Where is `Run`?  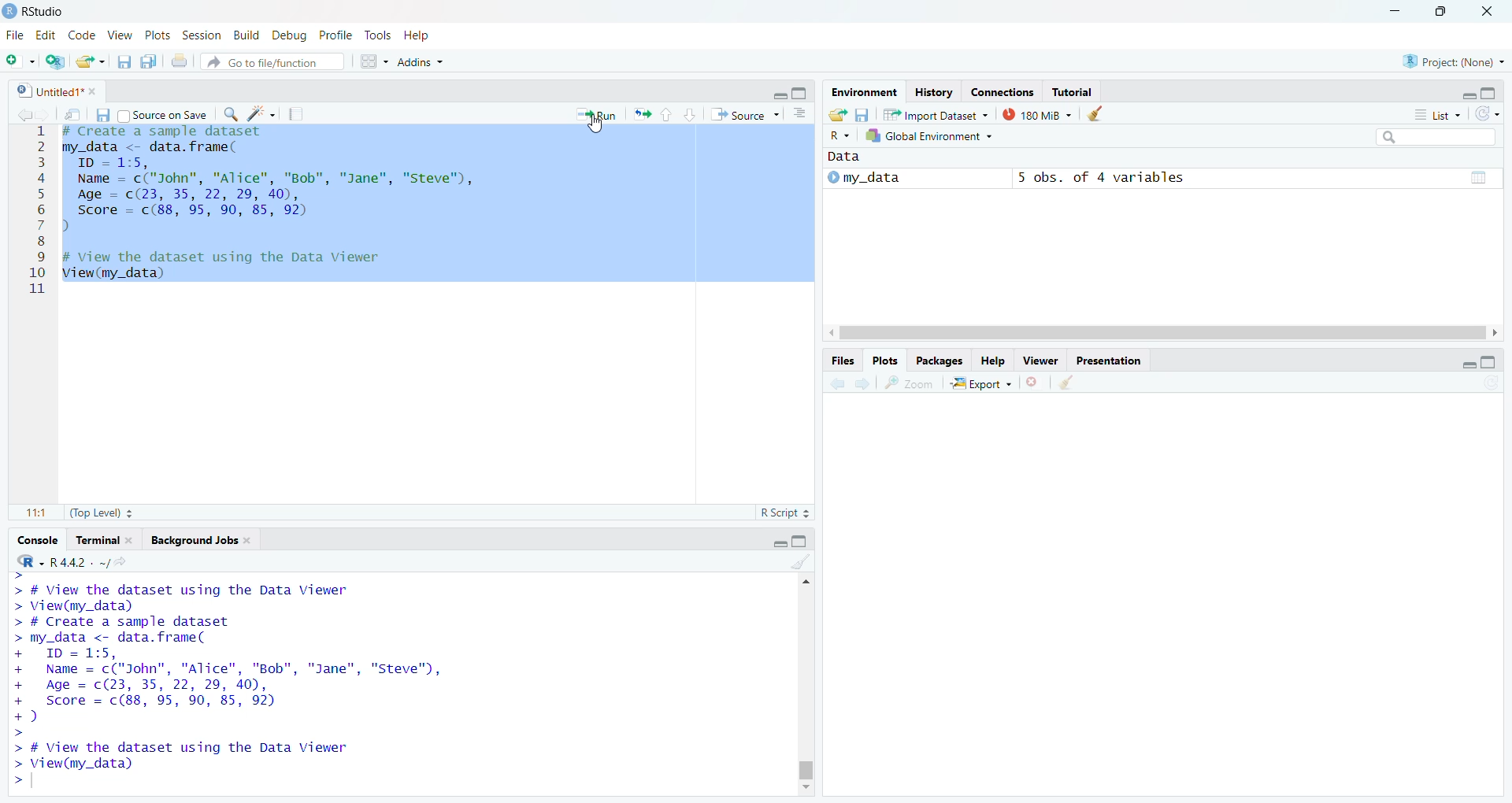
Run is located at coordinates (600, 116).